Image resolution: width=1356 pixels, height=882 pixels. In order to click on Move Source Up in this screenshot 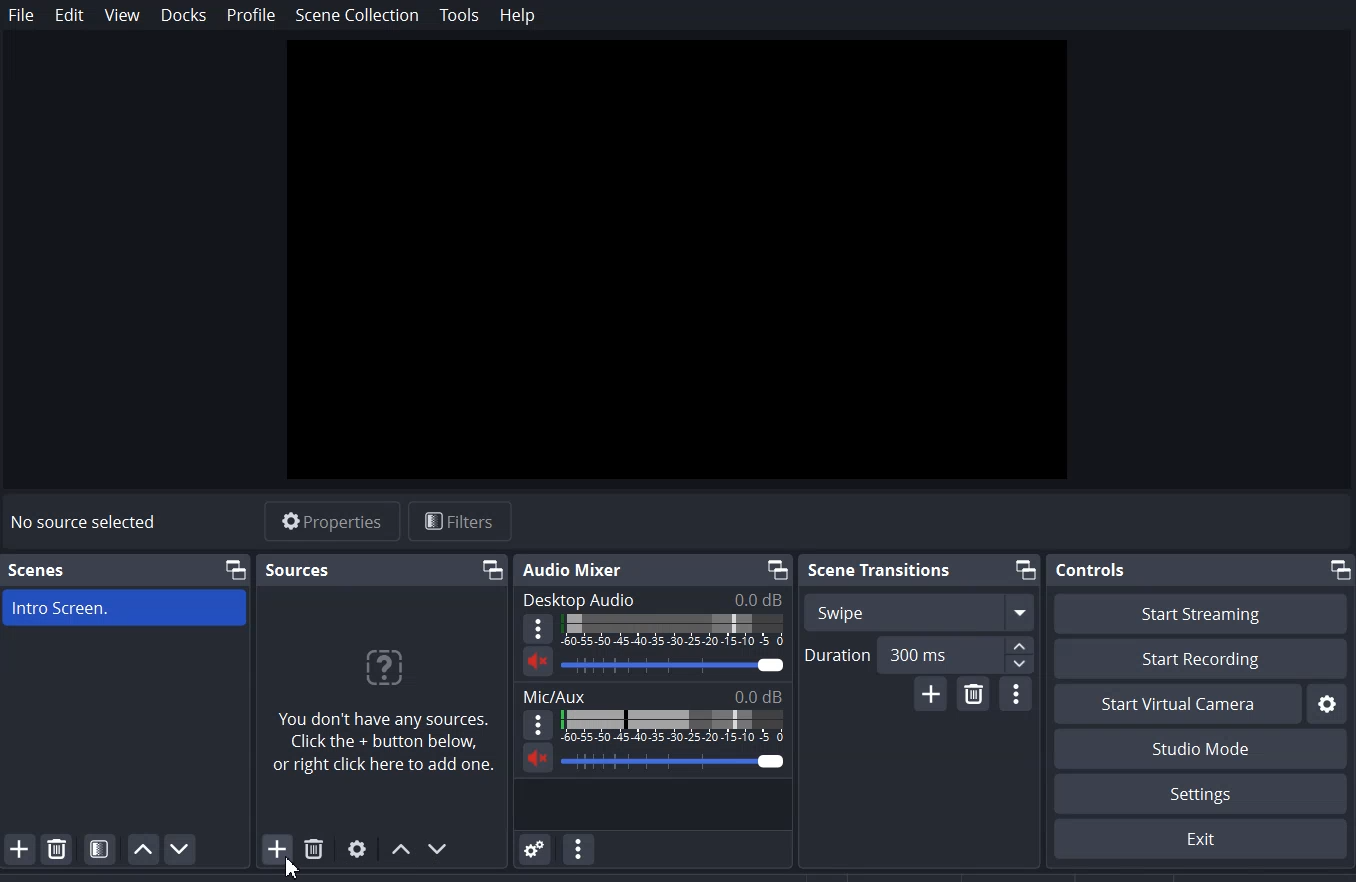, I will do `click(399, 849)`.